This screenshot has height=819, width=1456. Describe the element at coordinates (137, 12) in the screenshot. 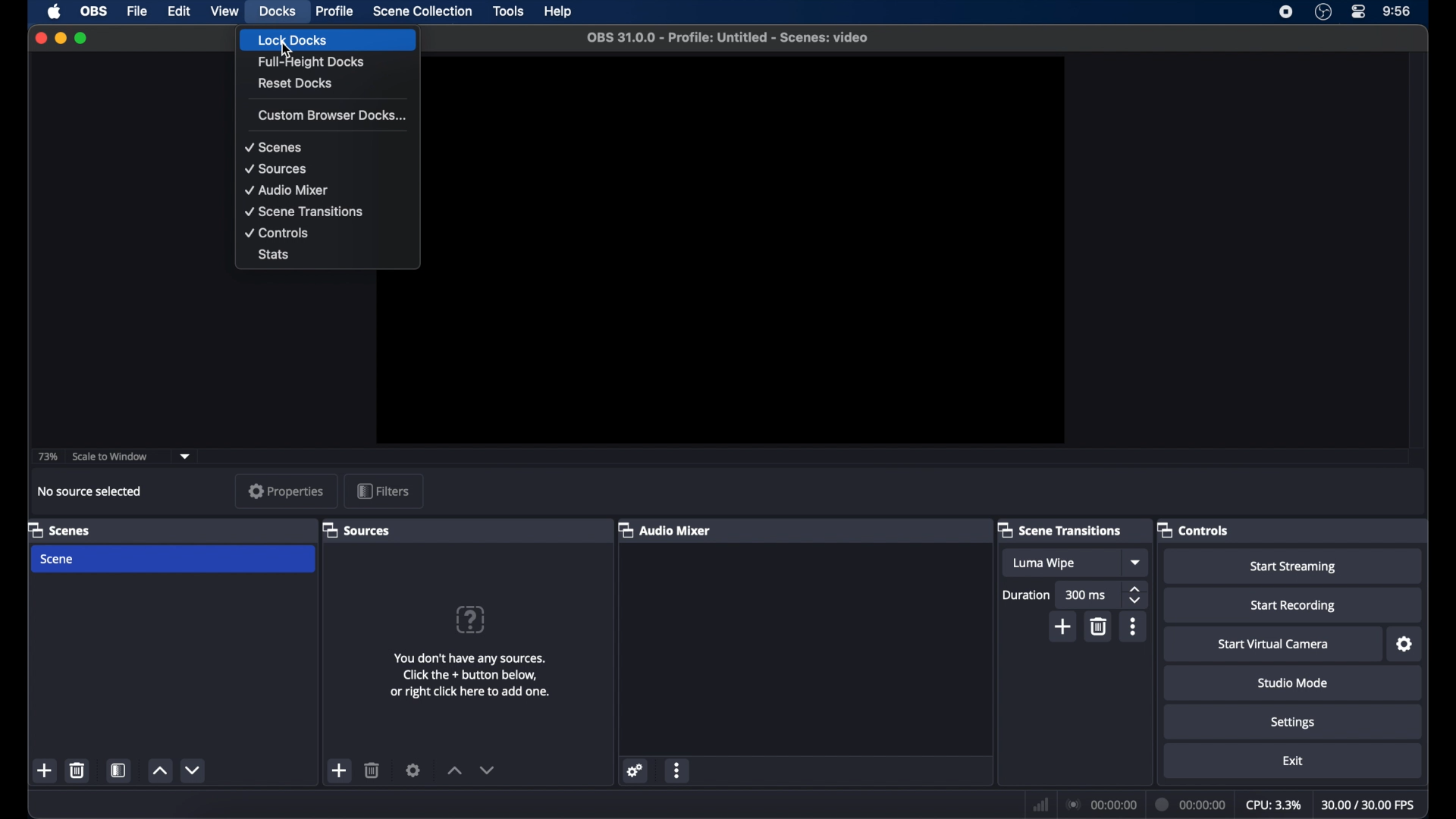

I see `file` at that location.